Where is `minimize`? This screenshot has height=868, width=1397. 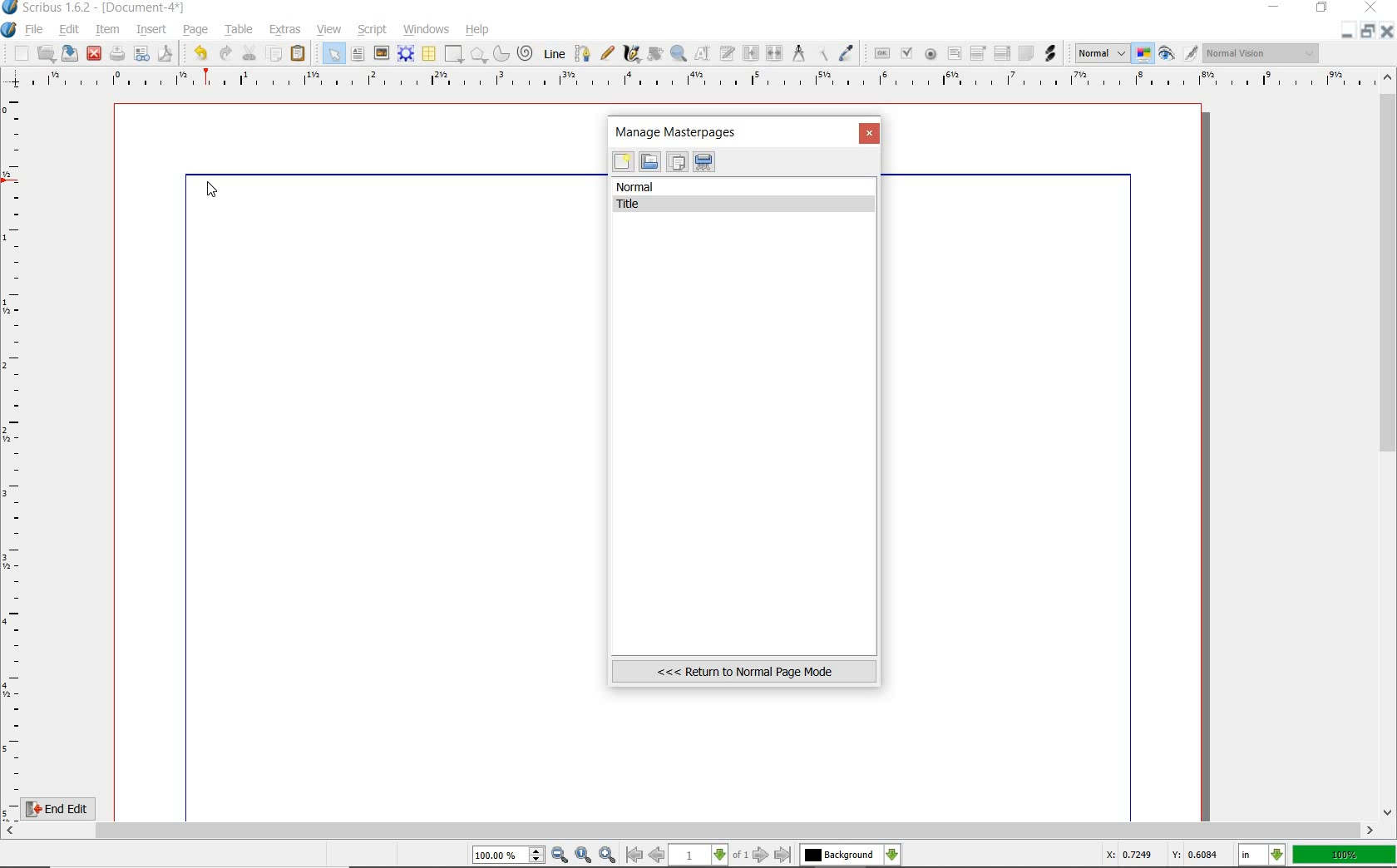
minimize is located at coordinates (1349, 31).